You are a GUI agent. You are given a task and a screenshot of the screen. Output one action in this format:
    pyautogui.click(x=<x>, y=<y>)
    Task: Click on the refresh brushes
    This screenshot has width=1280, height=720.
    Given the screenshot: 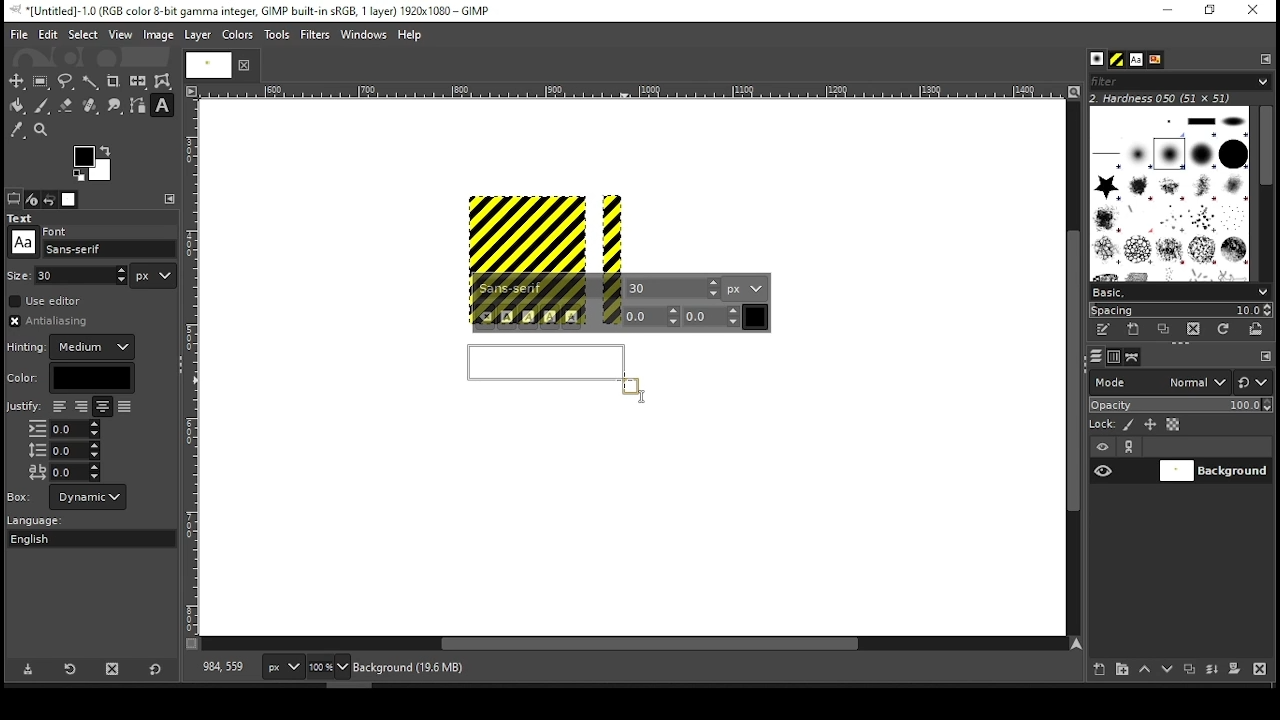 What is the action you would take?
    pyautogui.click(x=1222, y=331)
    